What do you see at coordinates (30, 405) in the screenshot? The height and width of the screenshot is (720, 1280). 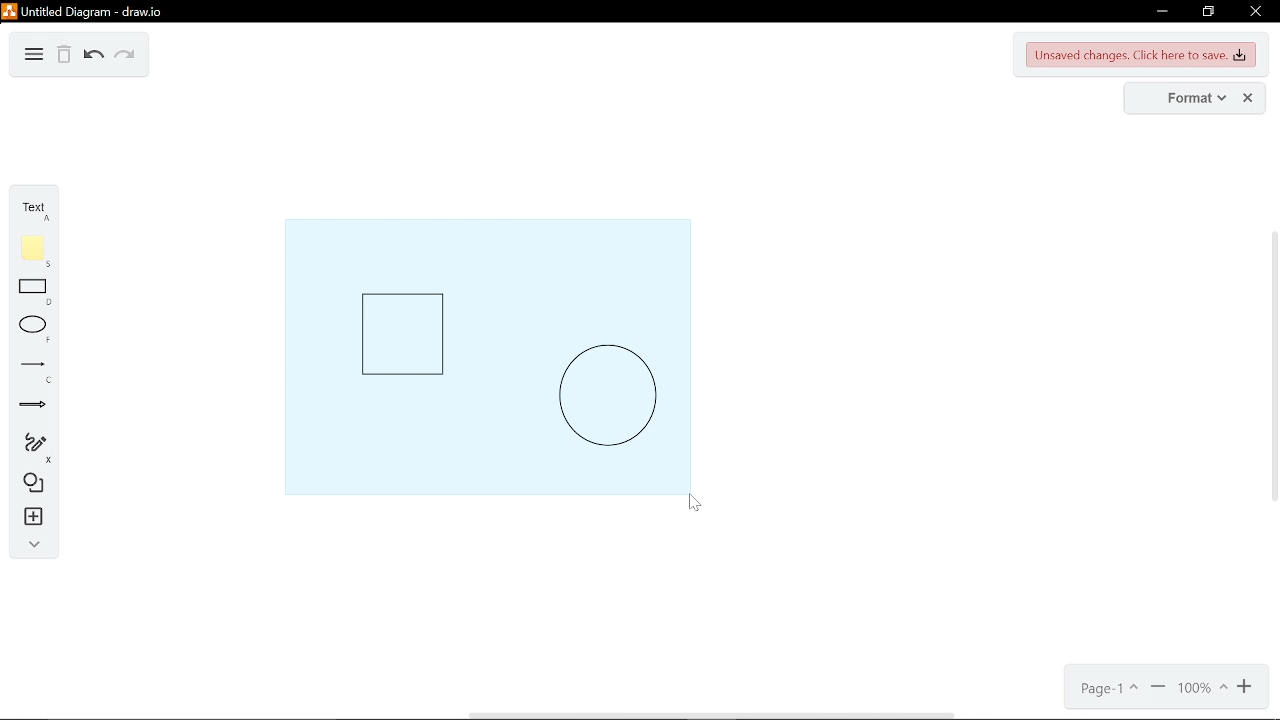 I see `arrow` at bounding box center [30, 405].